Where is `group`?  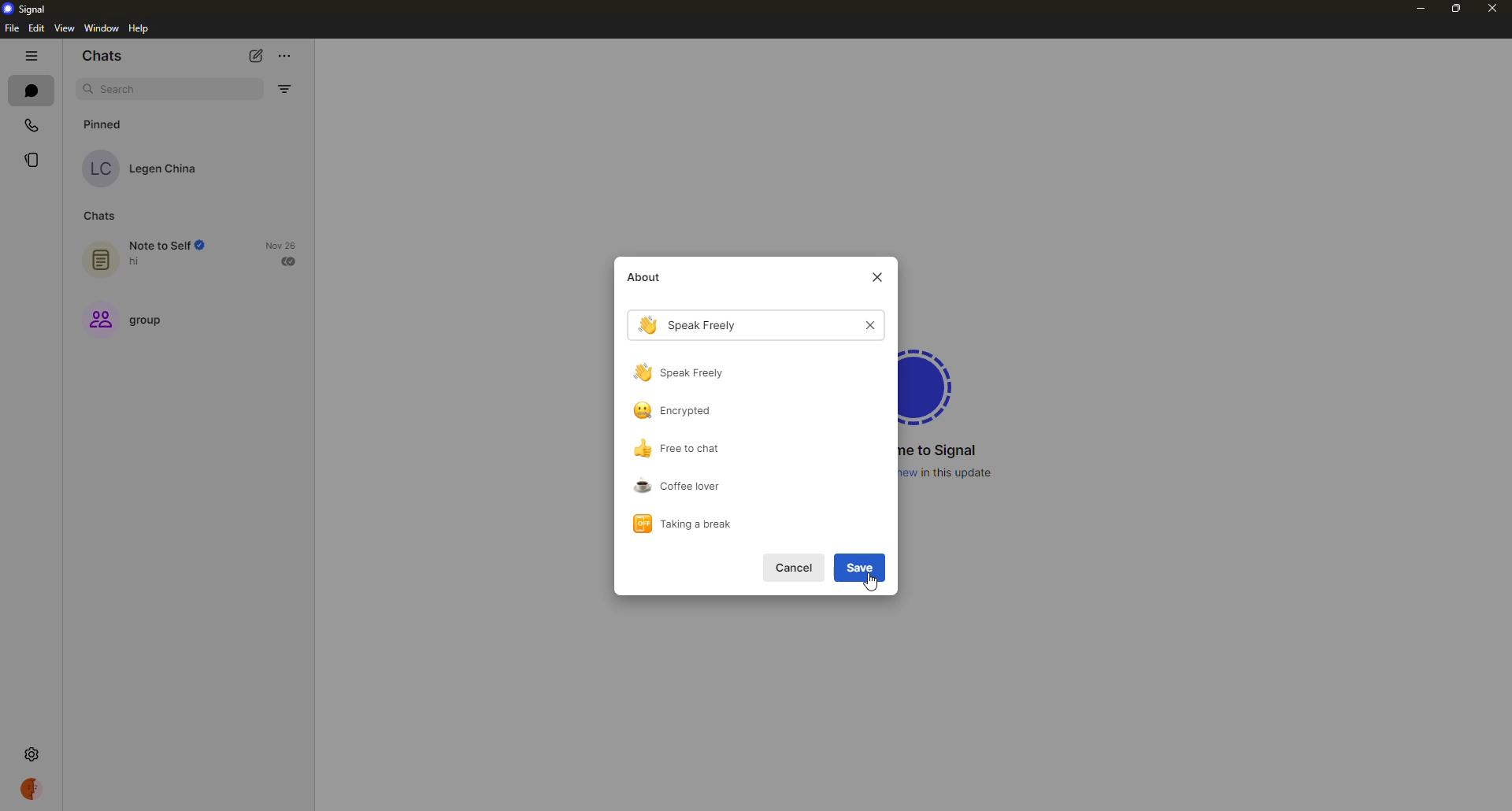 group is located at coordinates (130, 322).